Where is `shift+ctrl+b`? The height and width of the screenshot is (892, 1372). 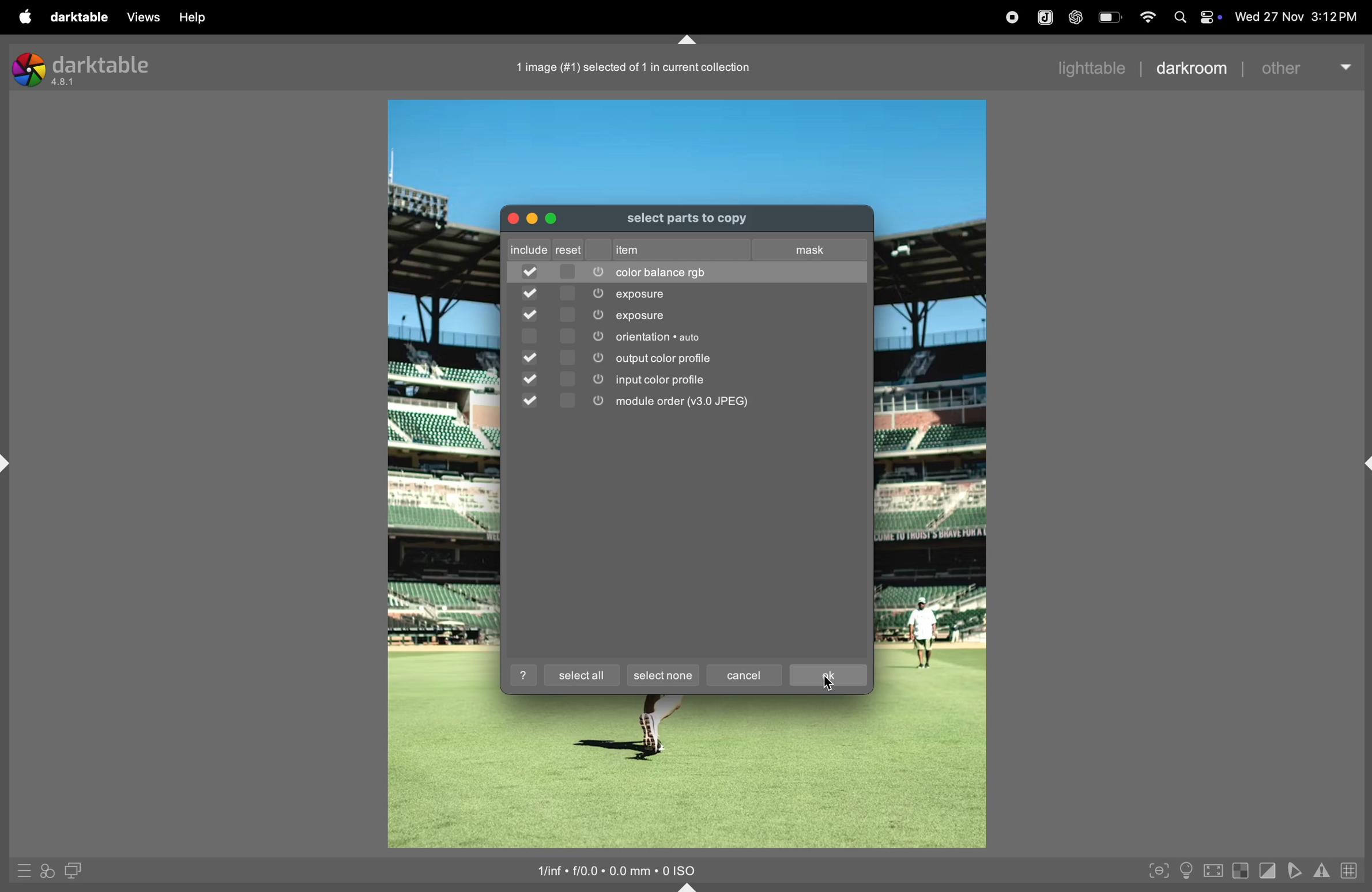 shift+ctrl+b is located at coordinates (692, 886).